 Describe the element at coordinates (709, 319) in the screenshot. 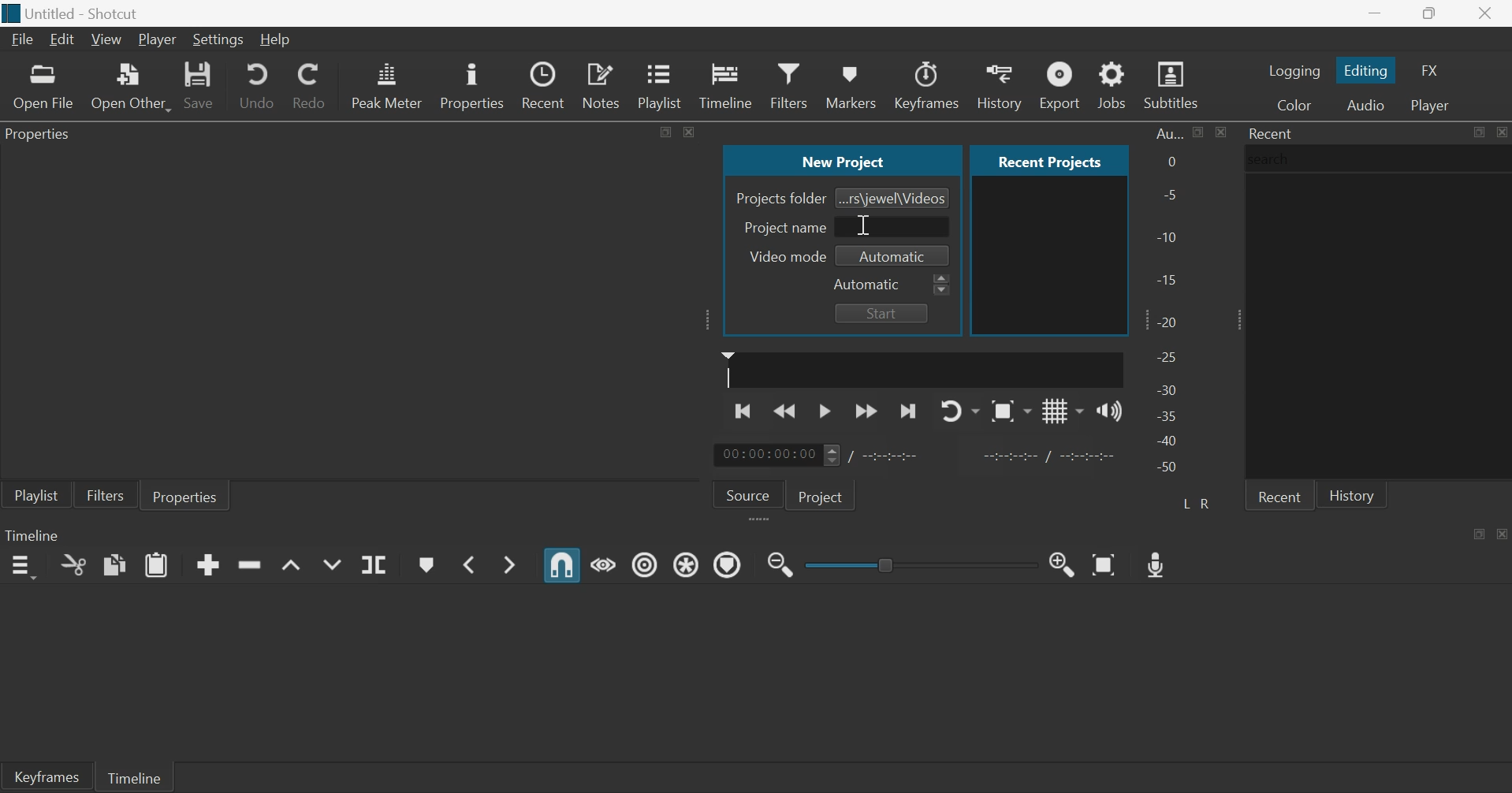

I see `Expand` at that location.